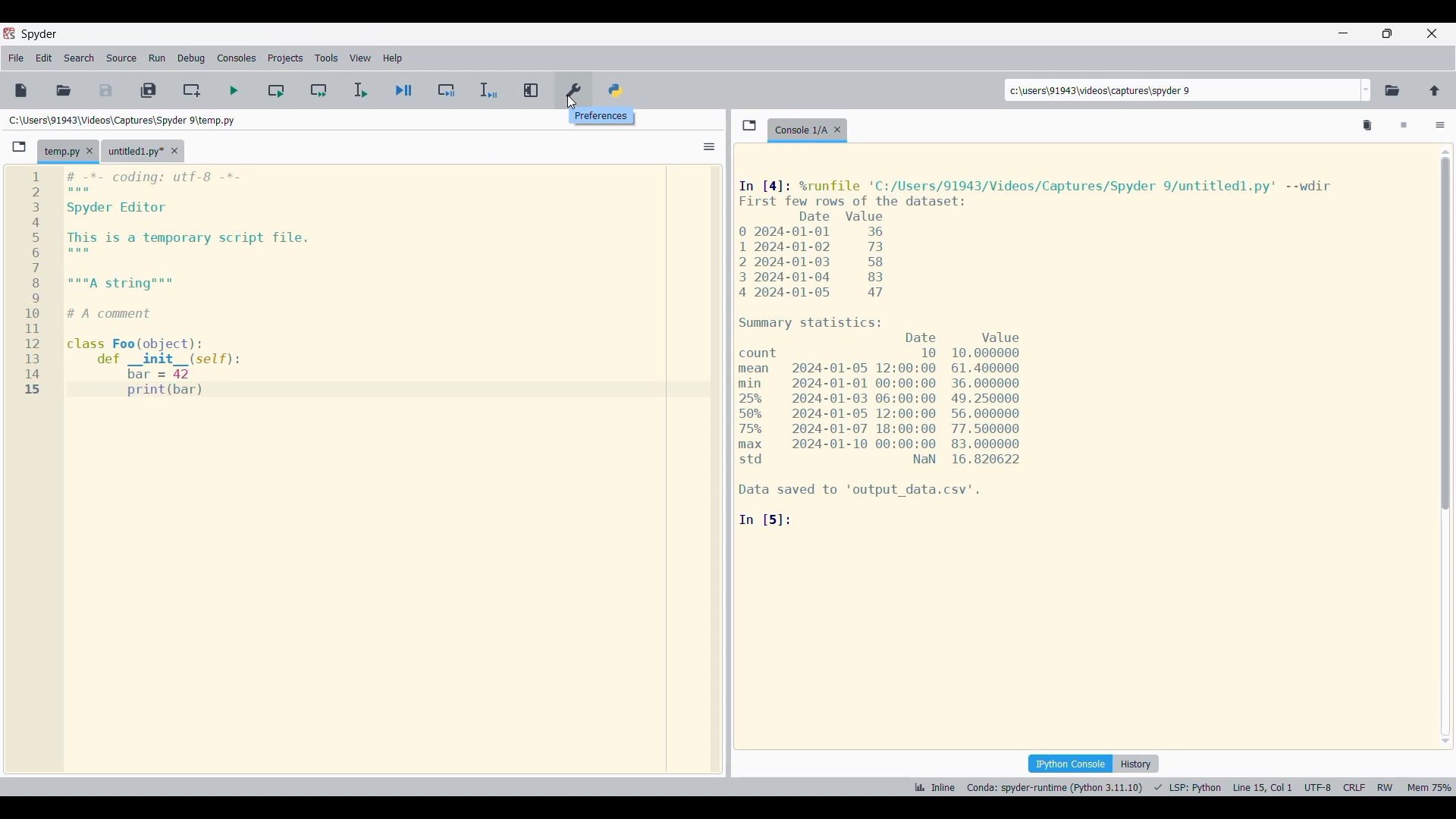 This screenshot has width=1456, height=819. I want to click on Run current cell and go to next one, so click(318, 91).